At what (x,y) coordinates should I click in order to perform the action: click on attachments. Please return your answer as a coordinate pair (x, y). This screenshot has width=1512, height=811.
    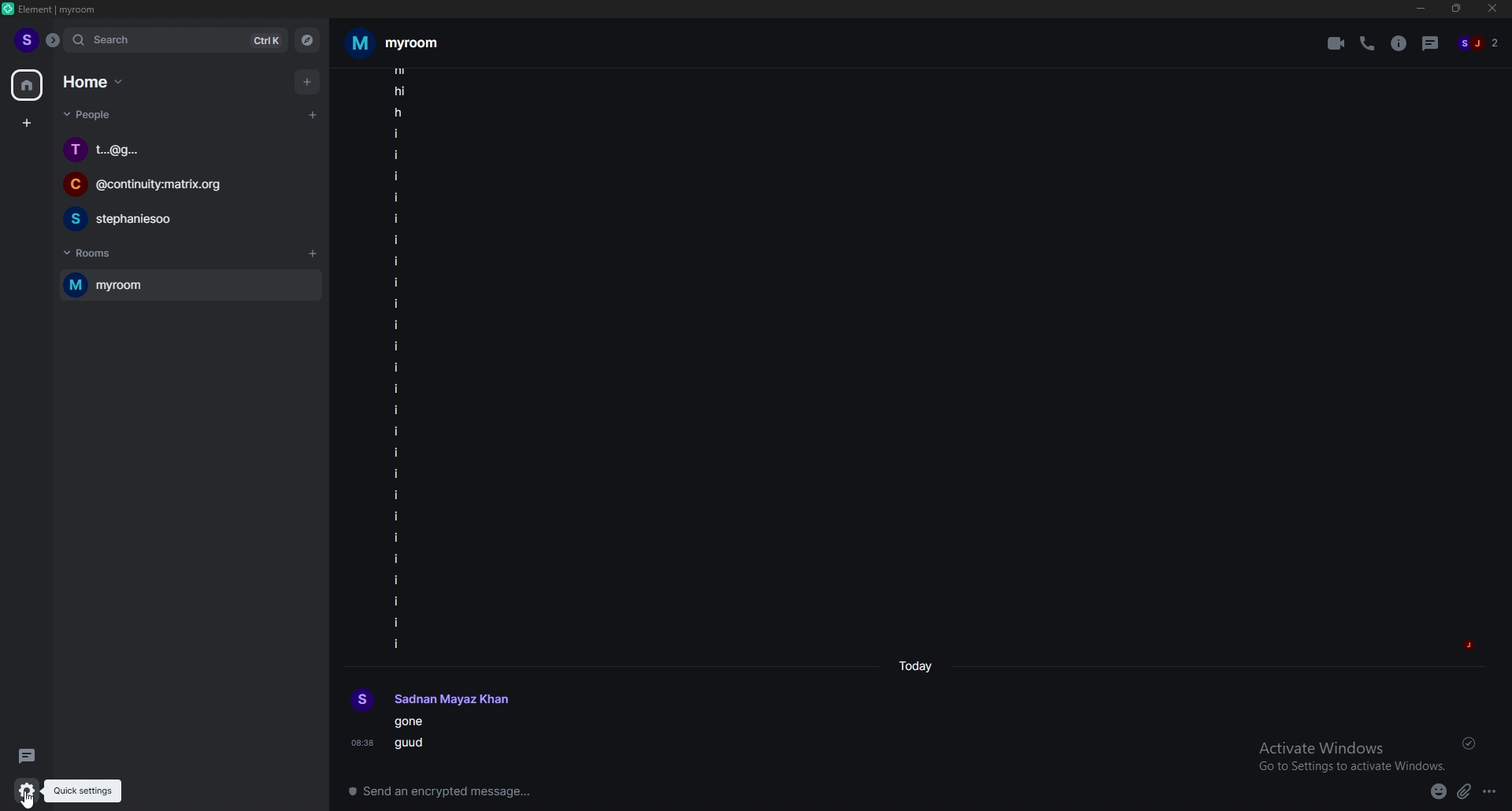
    Looking at the image, I should click on (1465, 792).